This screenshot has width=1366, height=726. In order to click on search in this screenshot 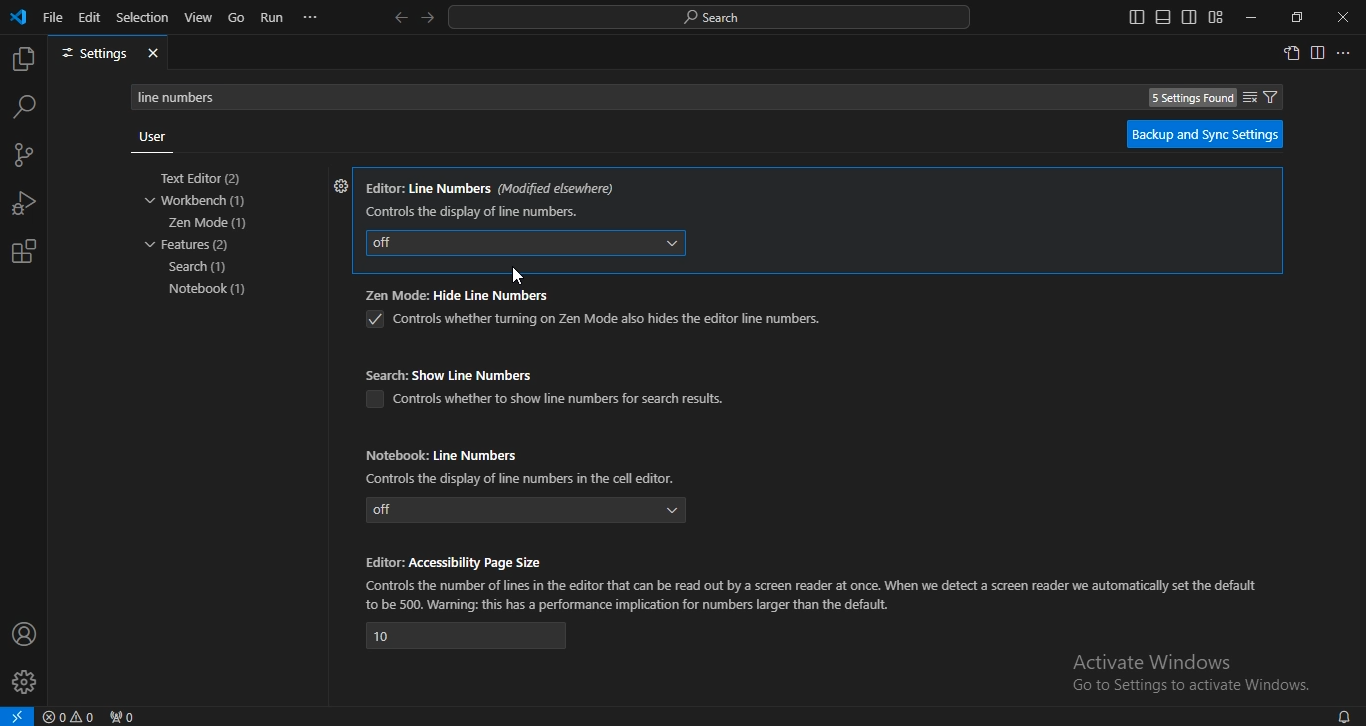, I will do `click(25, 106)`.